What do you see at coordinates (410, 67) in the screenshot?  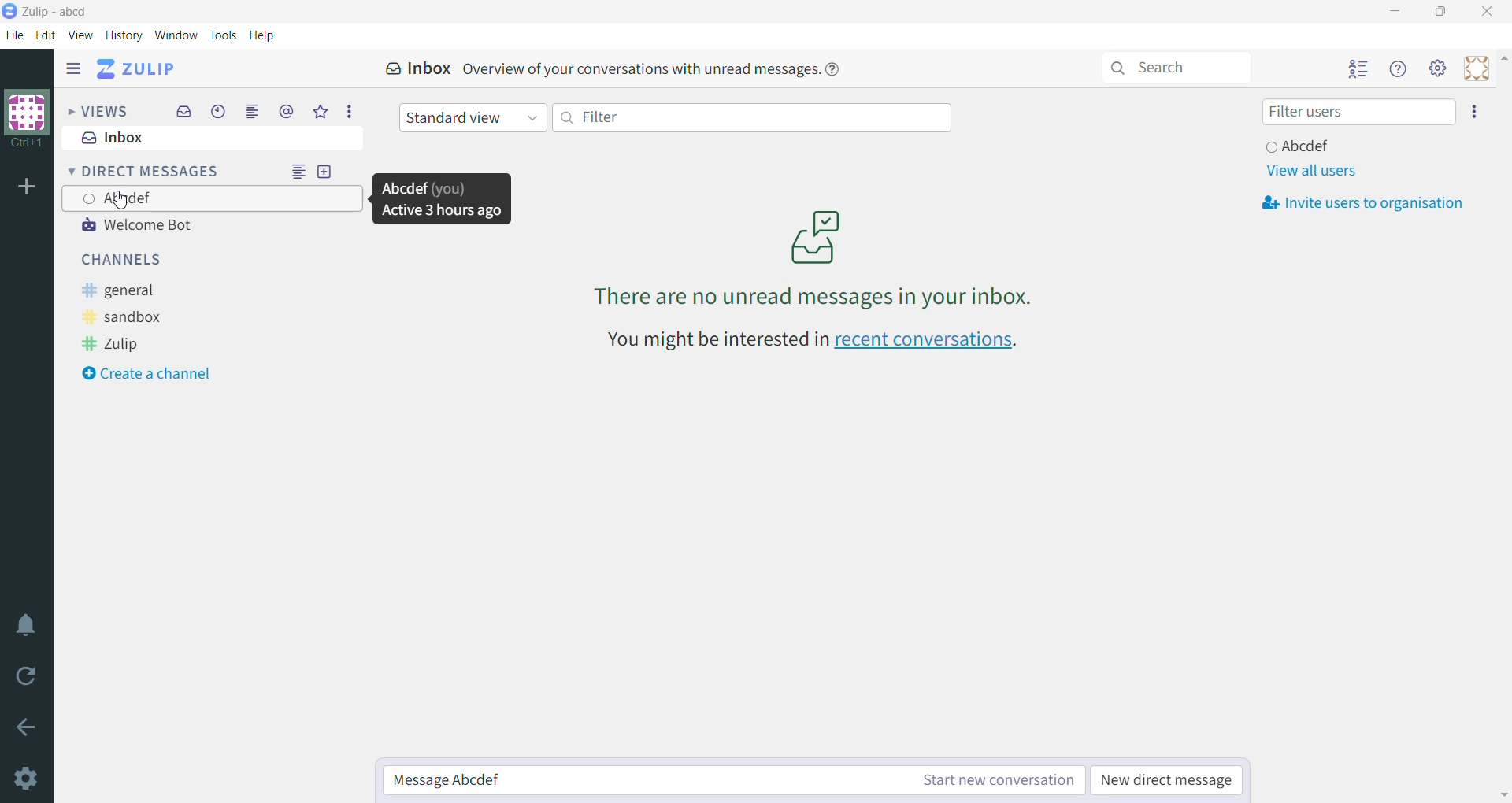 I see `Inbox` at bounding box center [410, 67].